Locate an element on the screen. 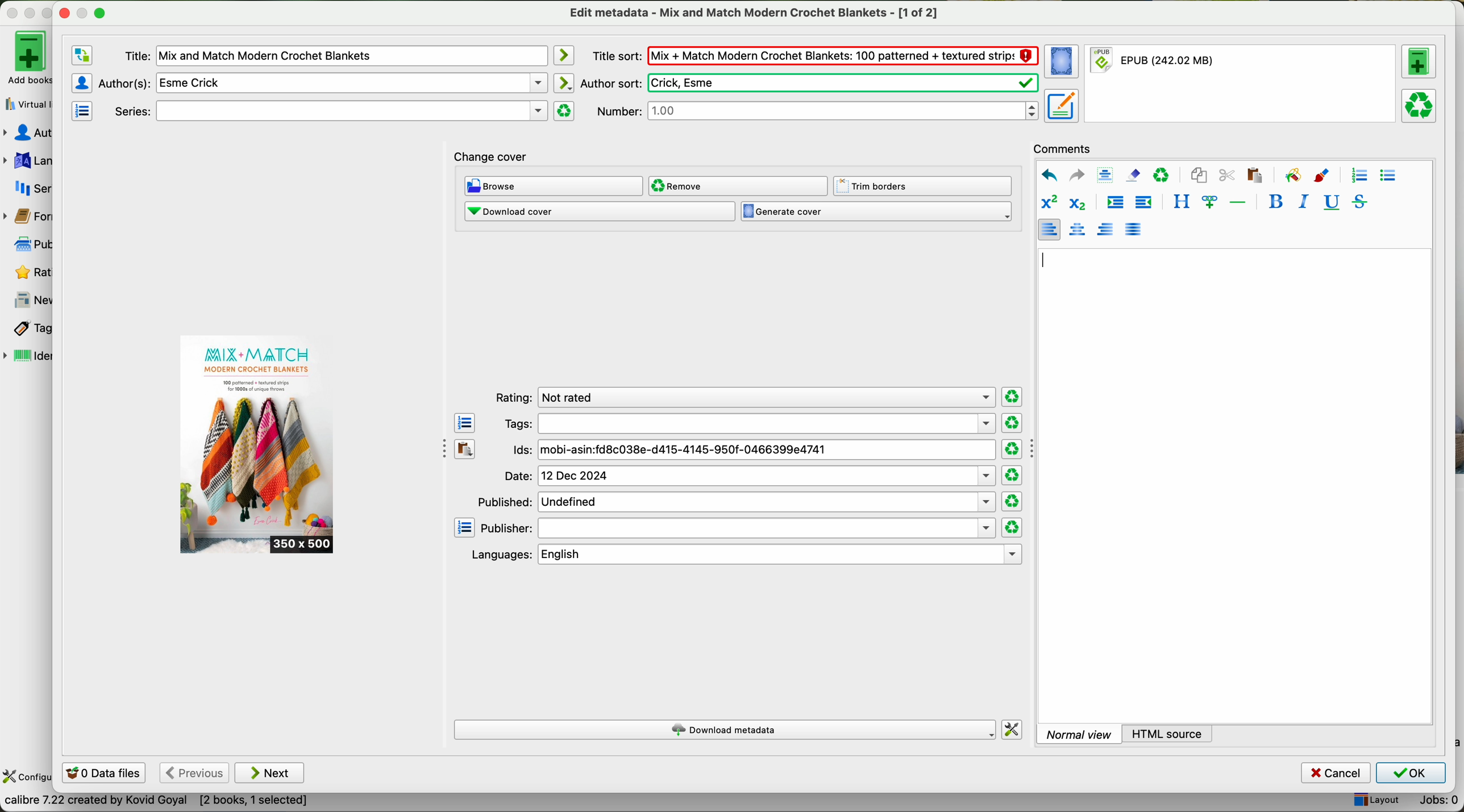  data is located at coordinates (156, 803).